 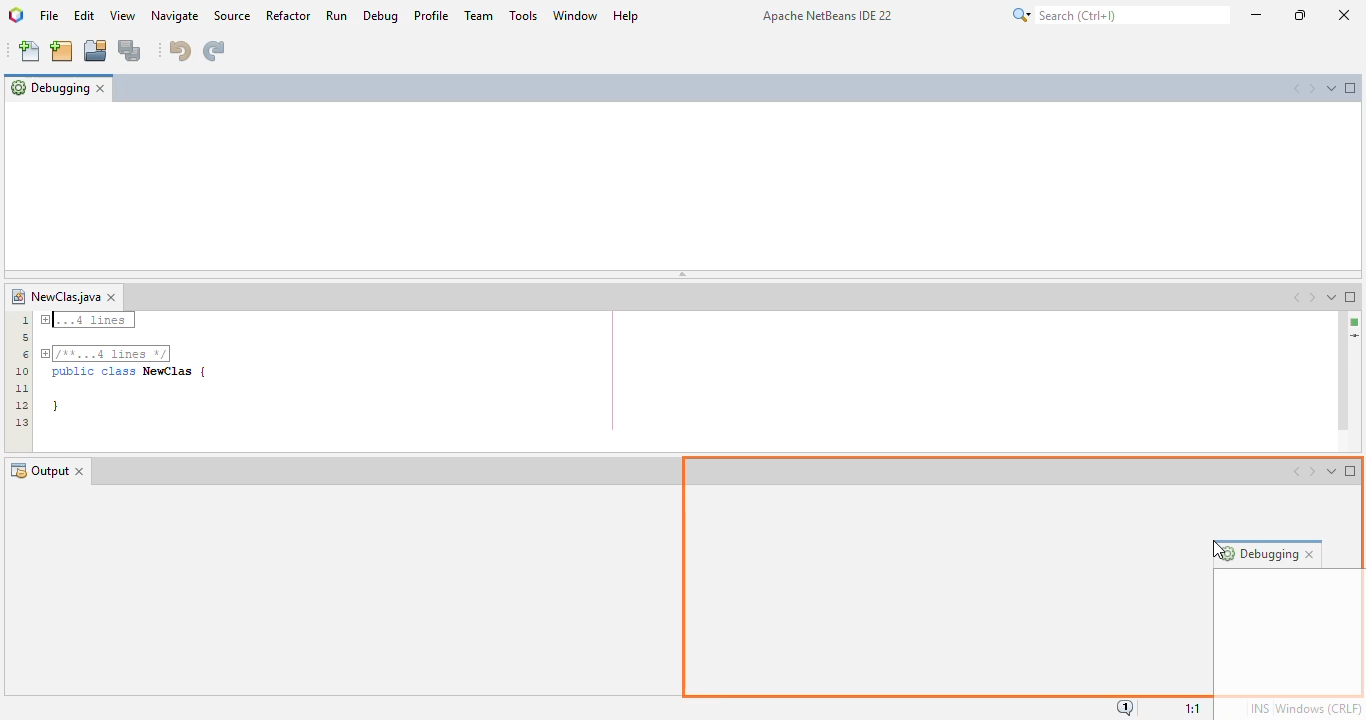 I want to click on tools, so click(x=524, y=14).